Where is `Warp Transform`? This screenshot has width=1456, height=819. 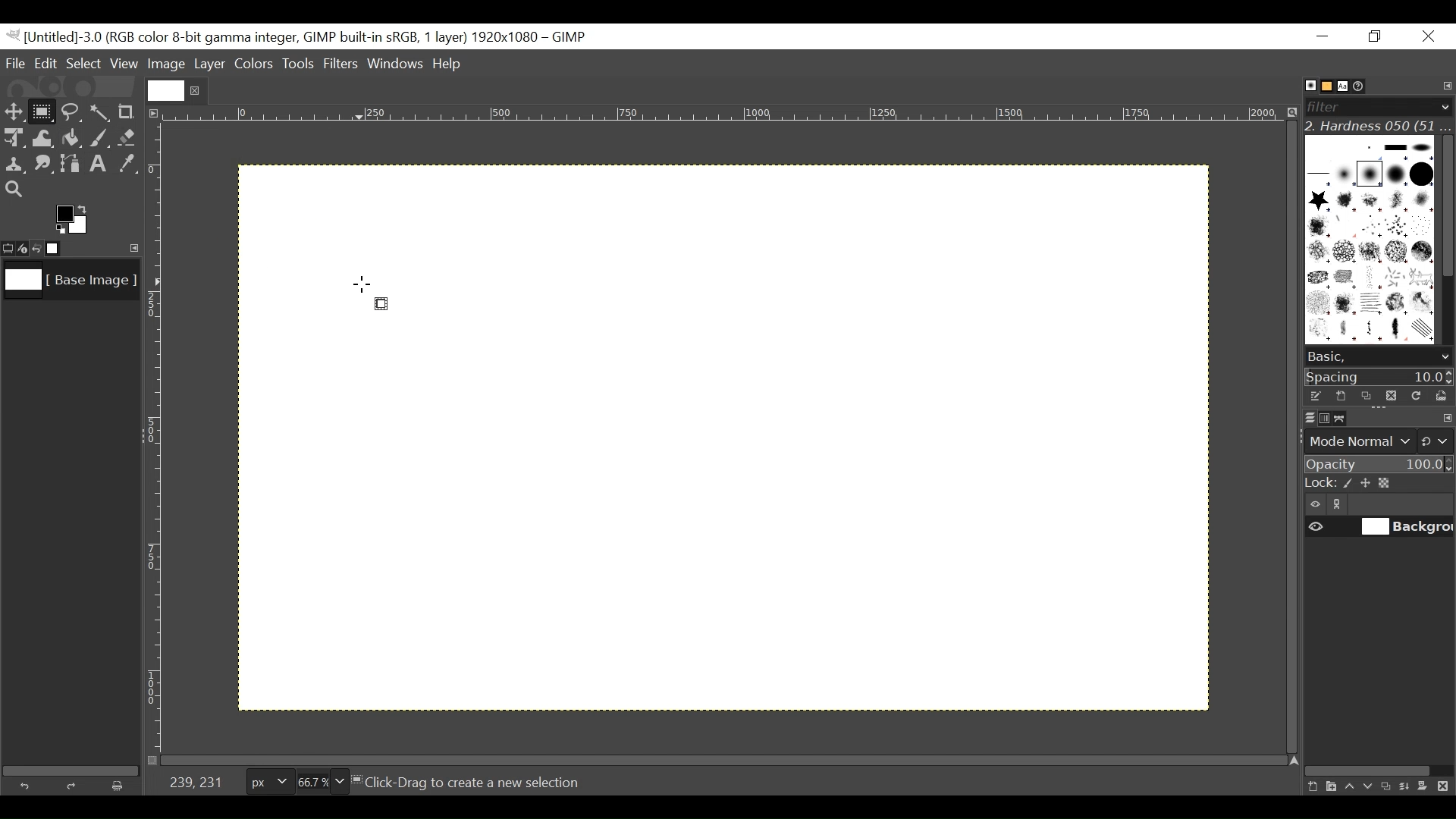
Warp Transform is located at coordinates (42, 140).